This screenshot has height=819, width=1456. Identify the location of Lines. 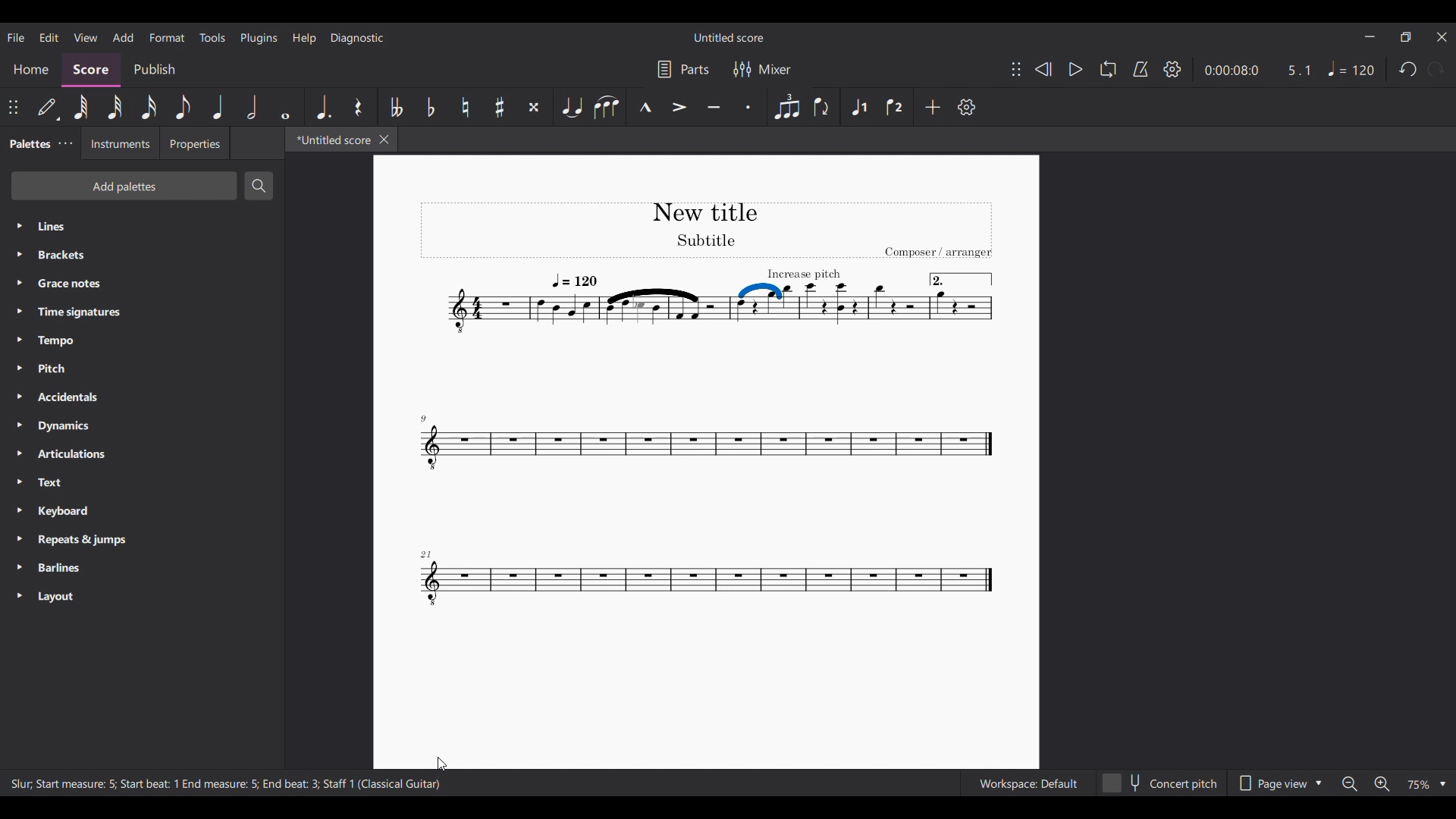
(143, 226).